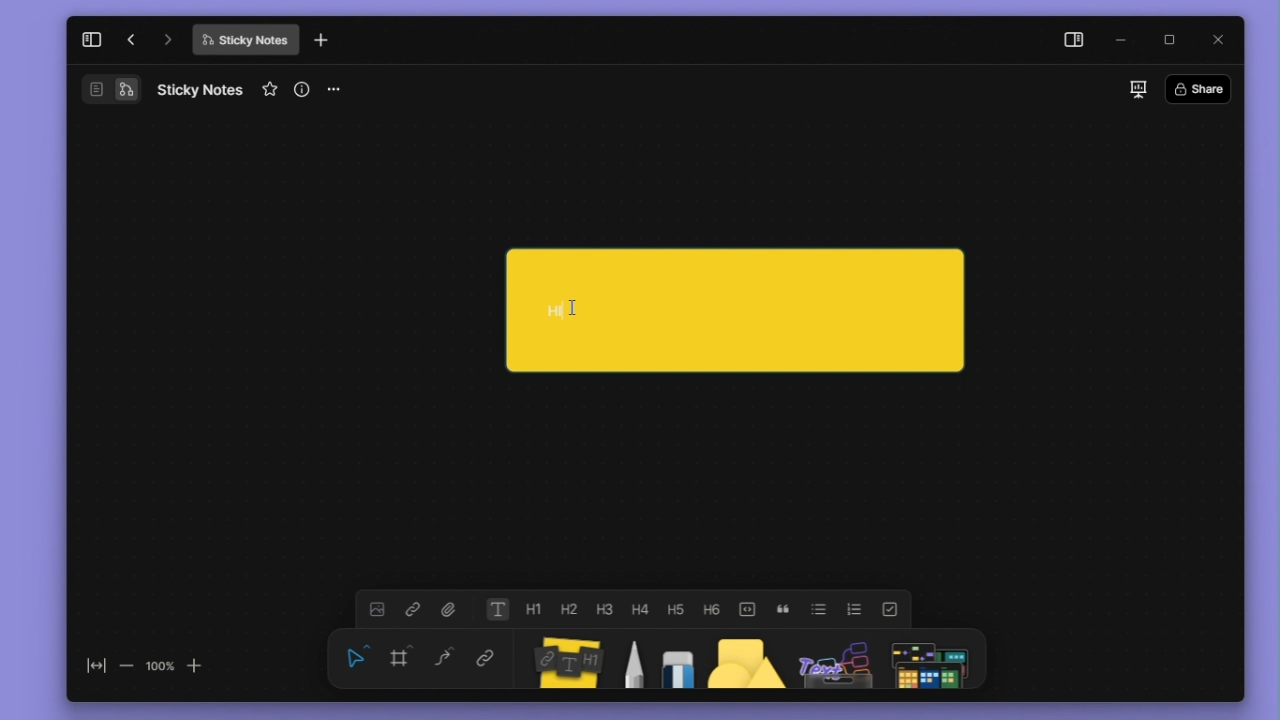  Describe the element at coordinates (1137, 89) in the screenshot. I see `slideshow` at that location.